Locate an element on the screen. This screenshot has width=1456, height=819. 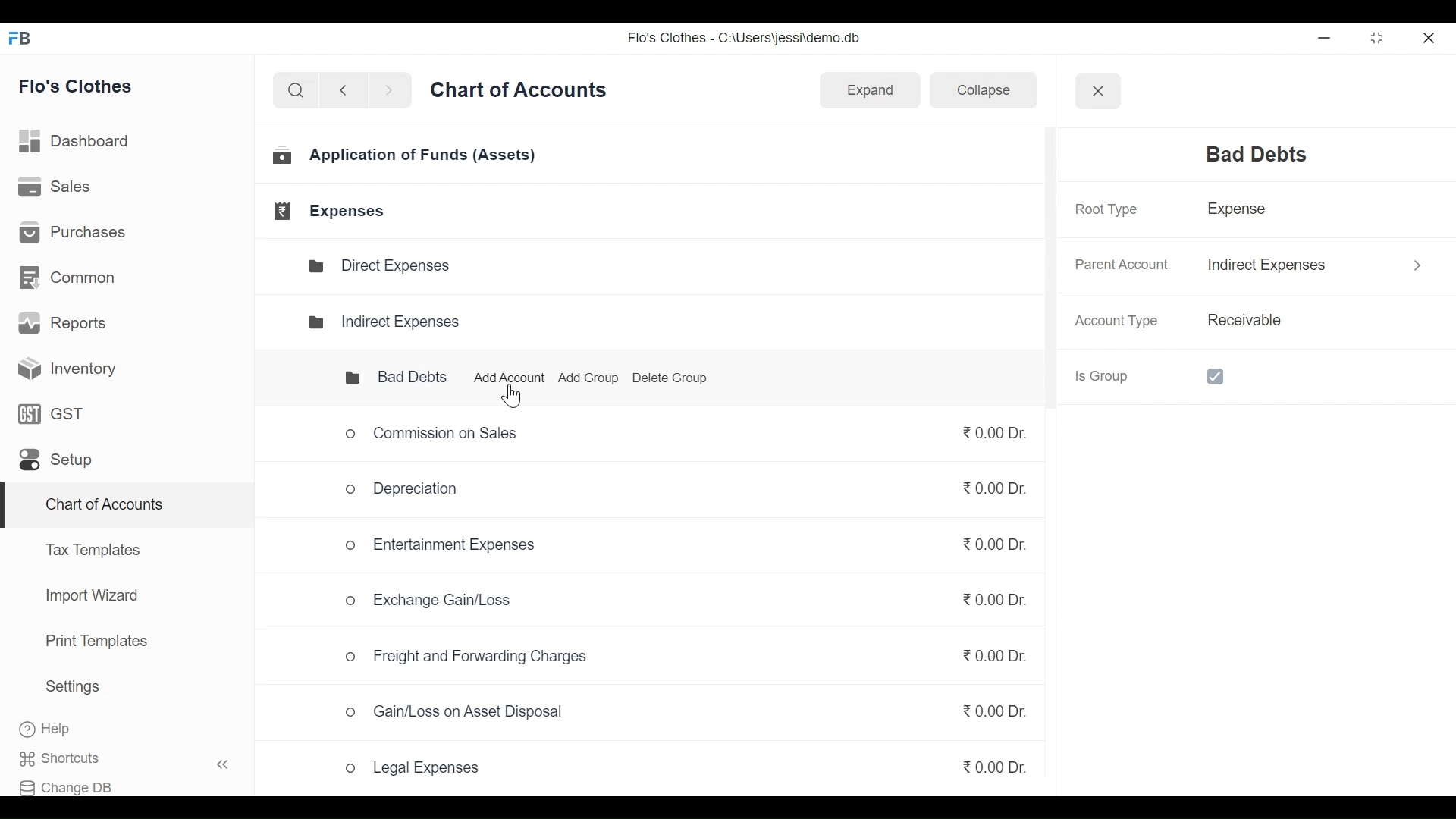
o Freight and Forwarding Charges is located at coordinates (463, 655).